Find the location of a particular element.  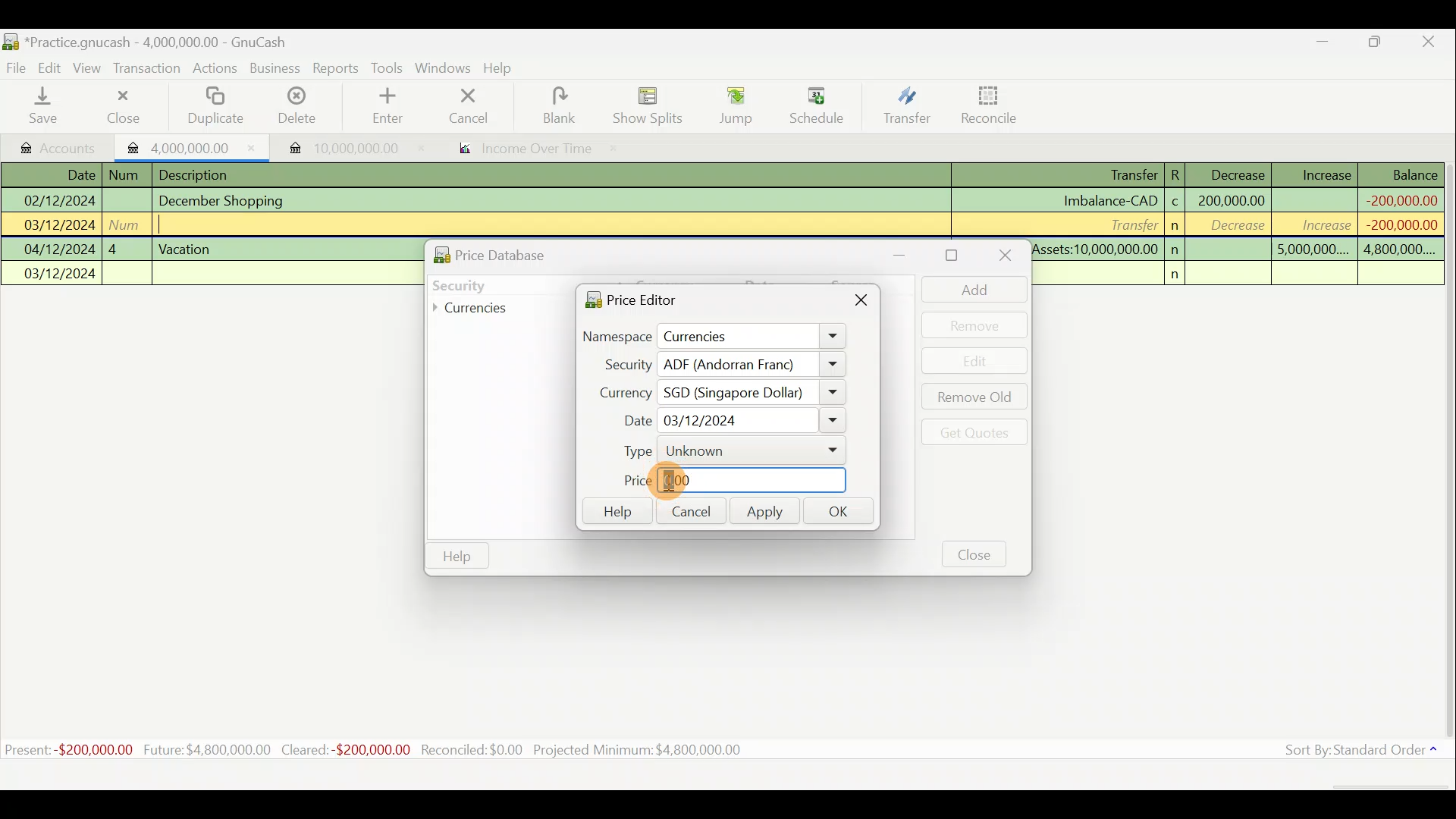

File is located at coordinates (17, 65).